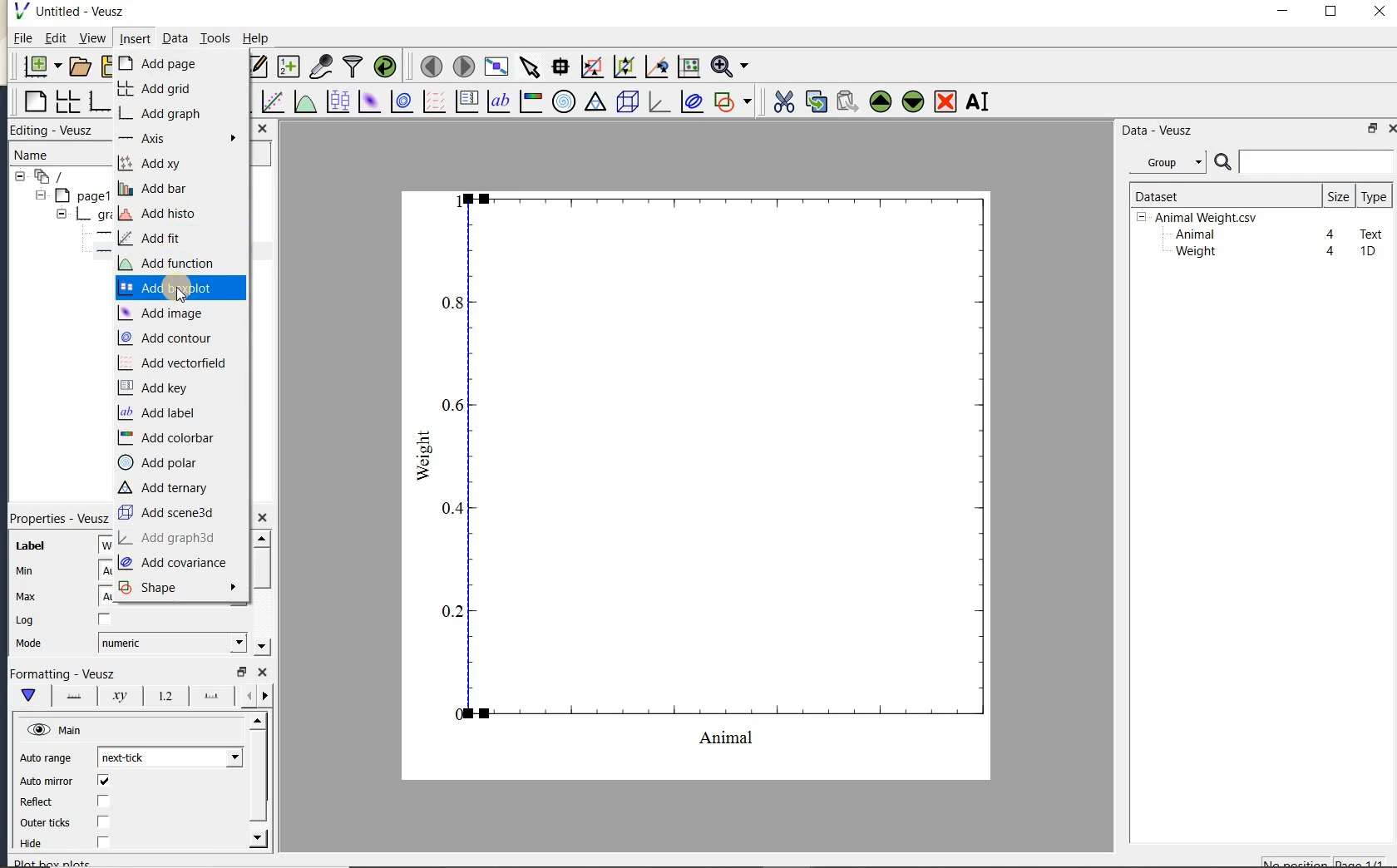  What do you see at coordinates (498, 103) in the screenshot?
I see `text label` at bounding box center [498, 103].